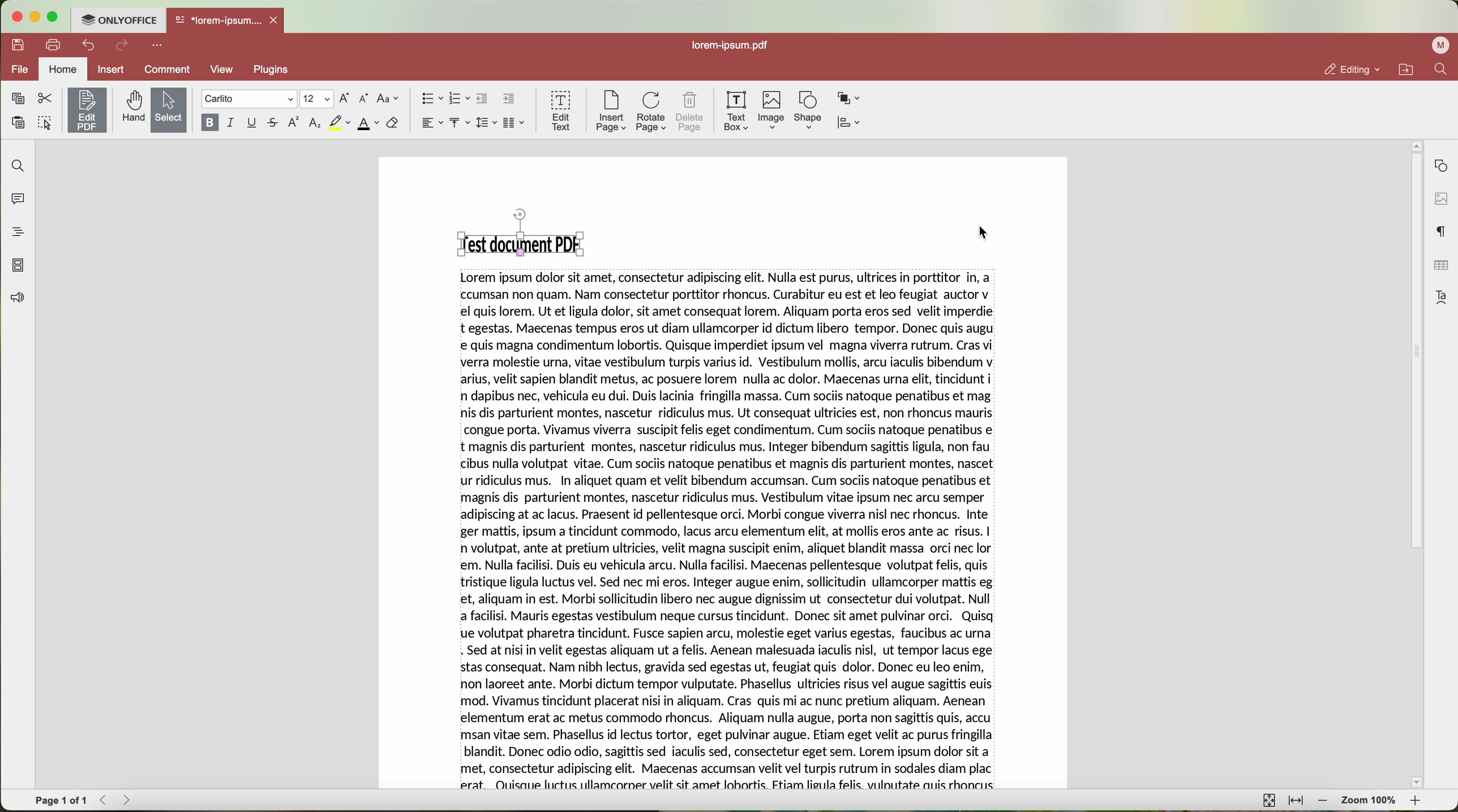 The width and height of the screenshot is (1458, 812). Describe the element at coordinates (461, 123) in the screenshot. I see `vertical align` at that location.